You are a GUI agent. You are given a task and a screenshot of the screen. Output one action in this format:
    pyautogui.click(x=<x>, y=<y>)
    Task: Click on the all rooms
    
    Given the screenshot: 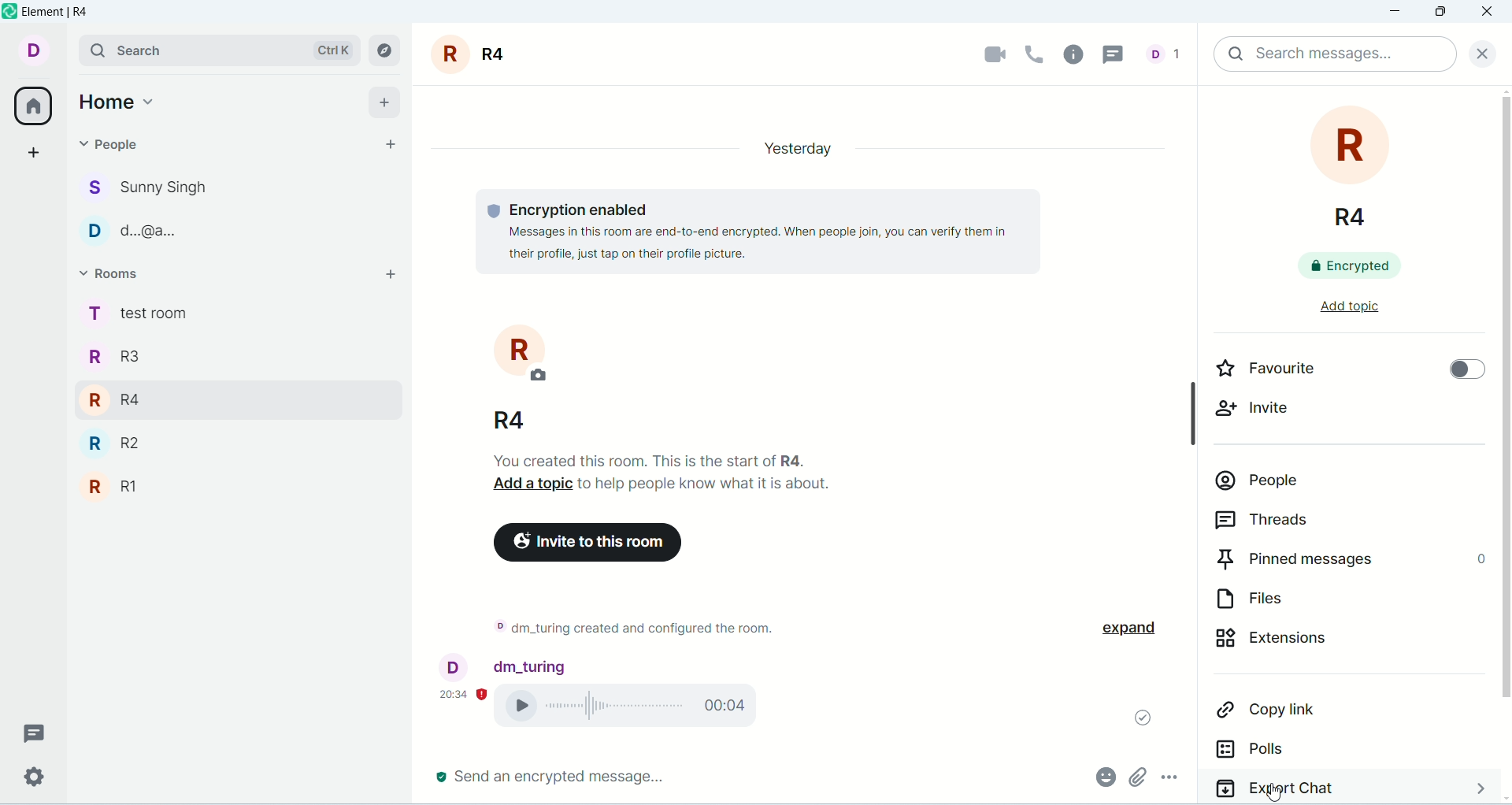 What is the action you would take?
    pyautogui.click(x=31, y=109)
    